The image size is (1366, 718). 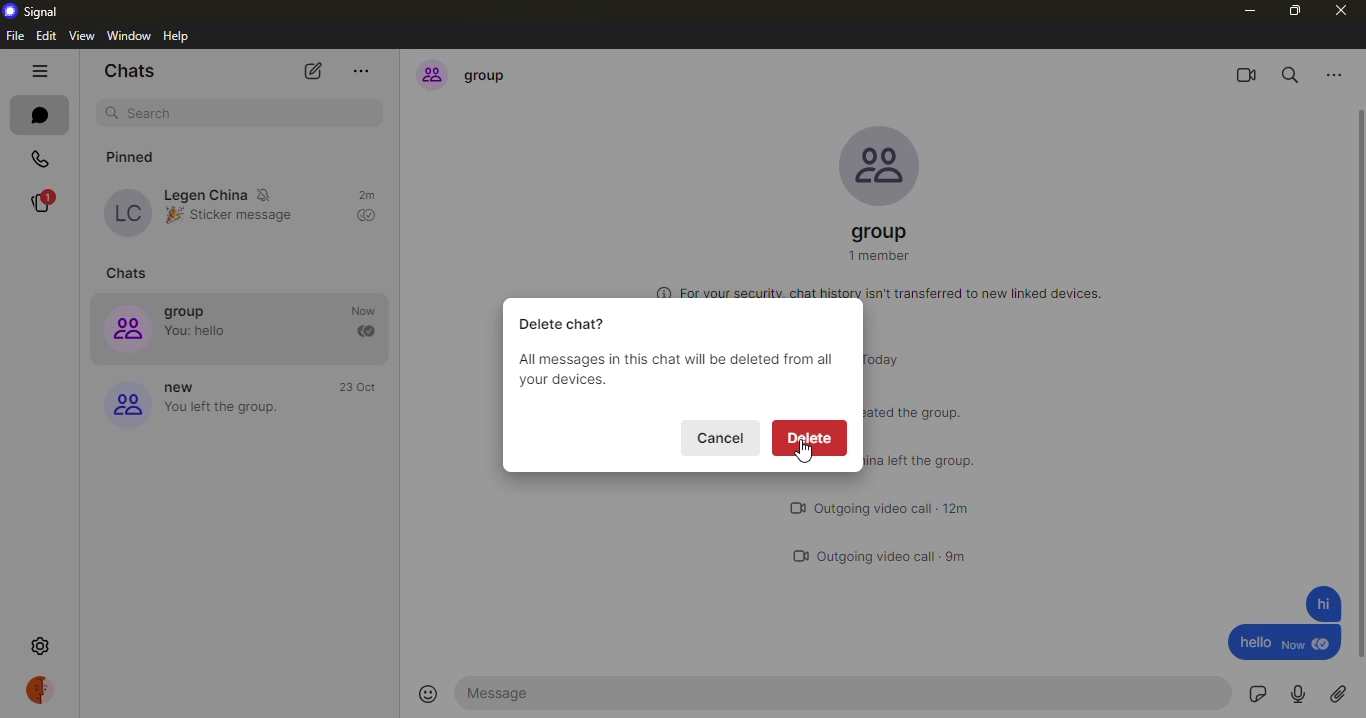 I want to click on help, so click(x=177, y=36).